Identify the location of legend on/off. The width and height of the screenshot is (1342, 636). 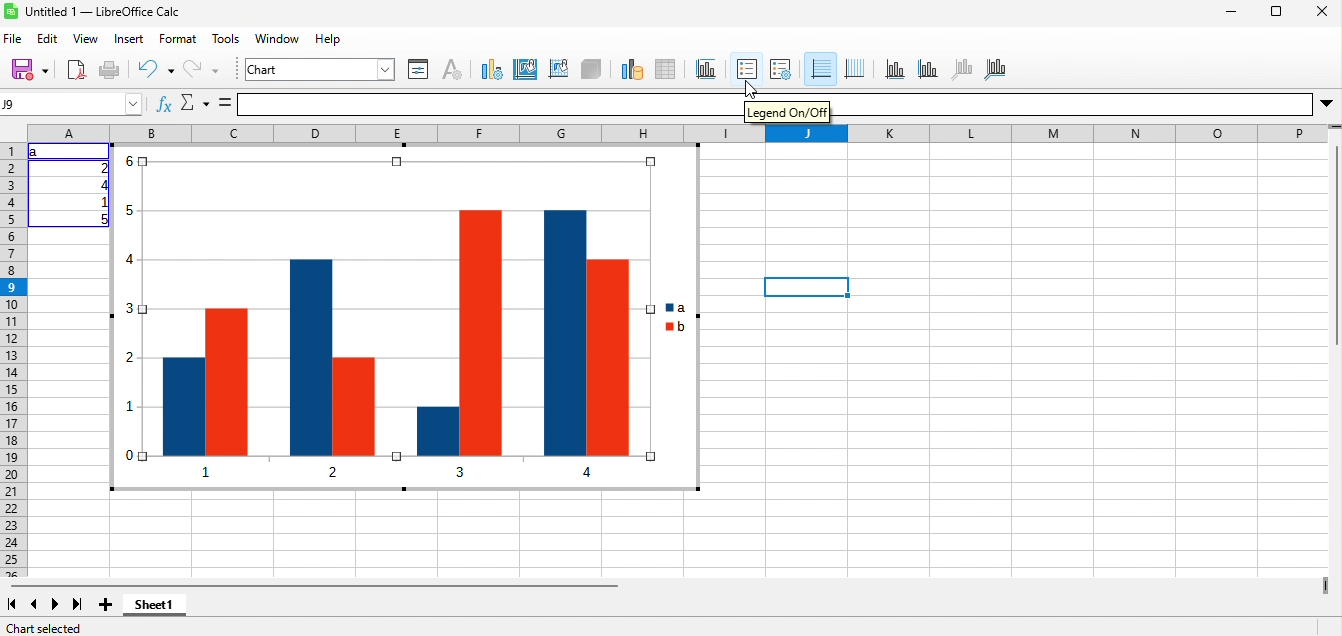
(747, 70).